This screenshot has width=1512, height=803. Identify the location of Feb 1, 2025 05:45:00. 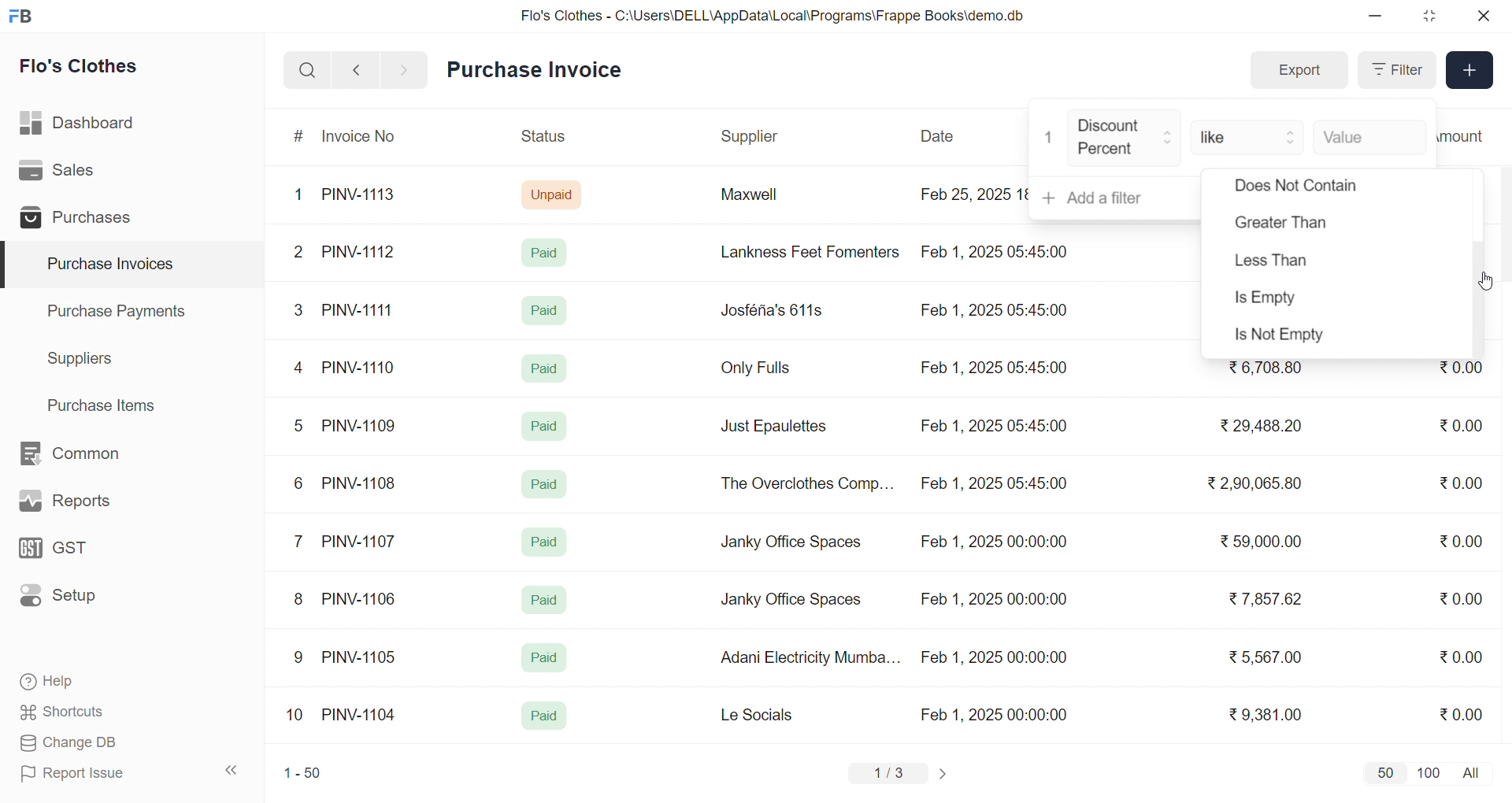
(996, 368).